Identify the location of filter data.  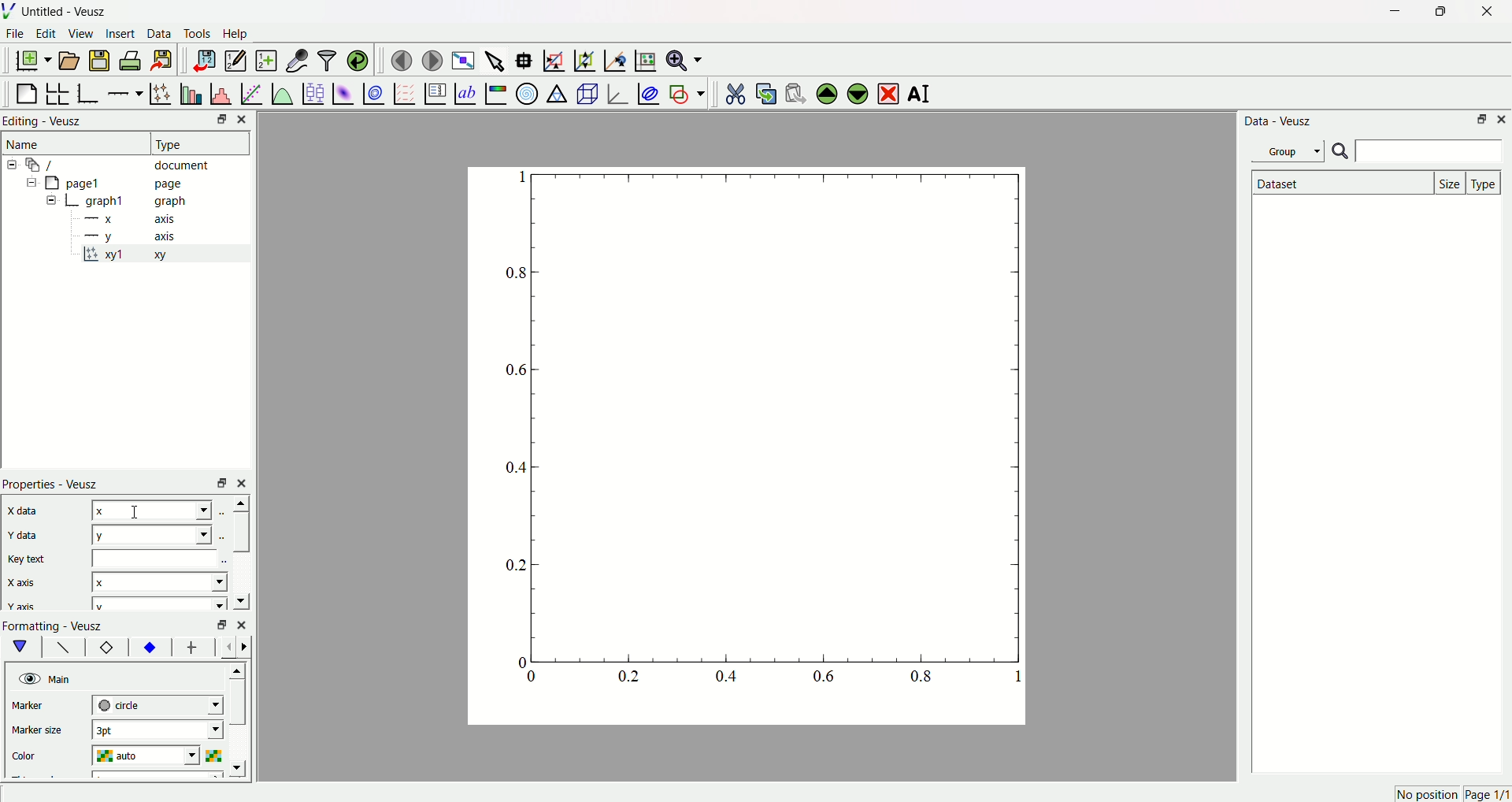
(326, 58).